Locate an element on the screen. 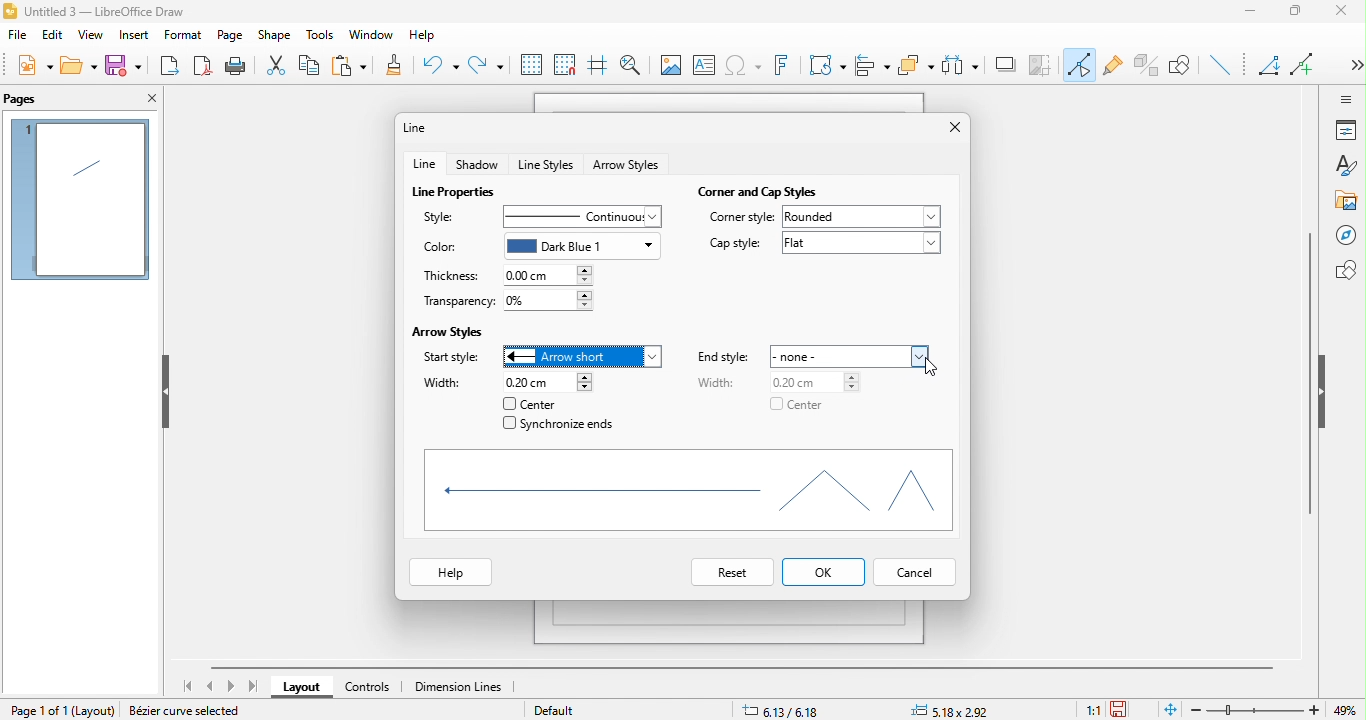  window is located at coordinates (368, 36).